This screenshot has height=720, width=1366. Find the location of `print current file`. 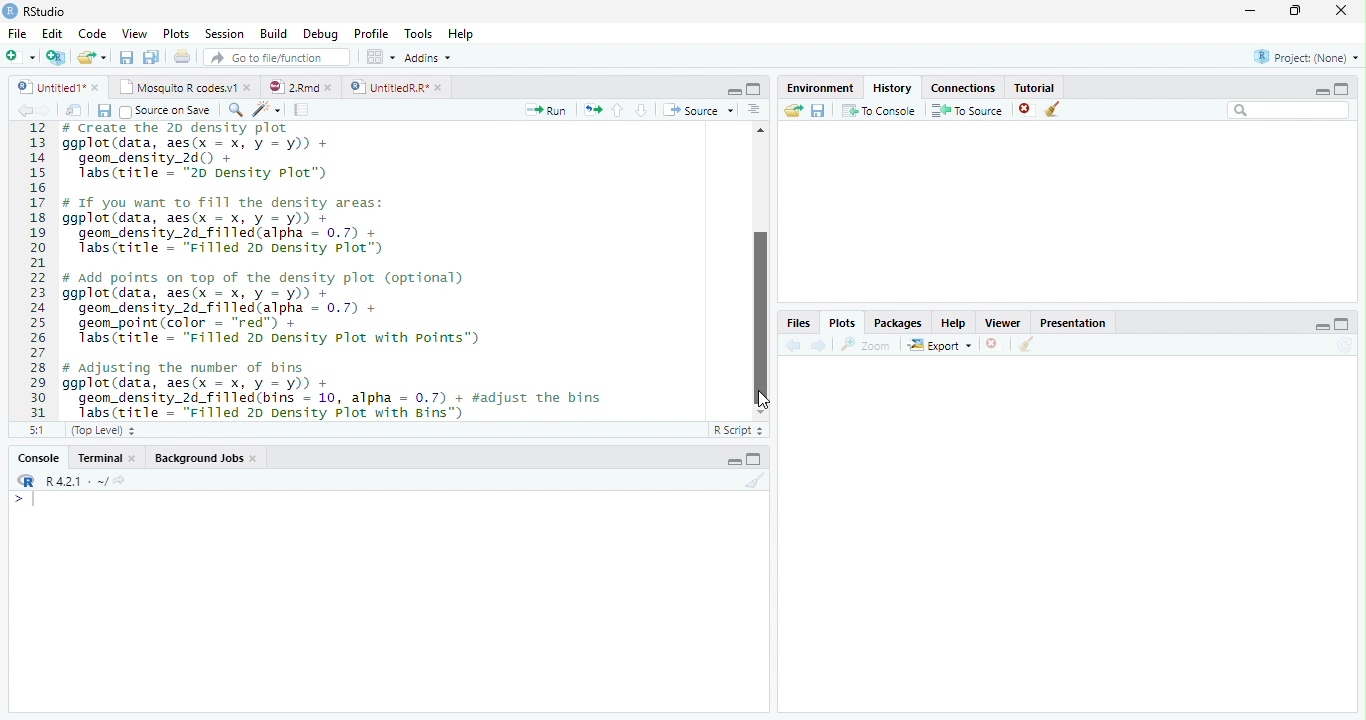

print current file is located at coordinates (182, 56).